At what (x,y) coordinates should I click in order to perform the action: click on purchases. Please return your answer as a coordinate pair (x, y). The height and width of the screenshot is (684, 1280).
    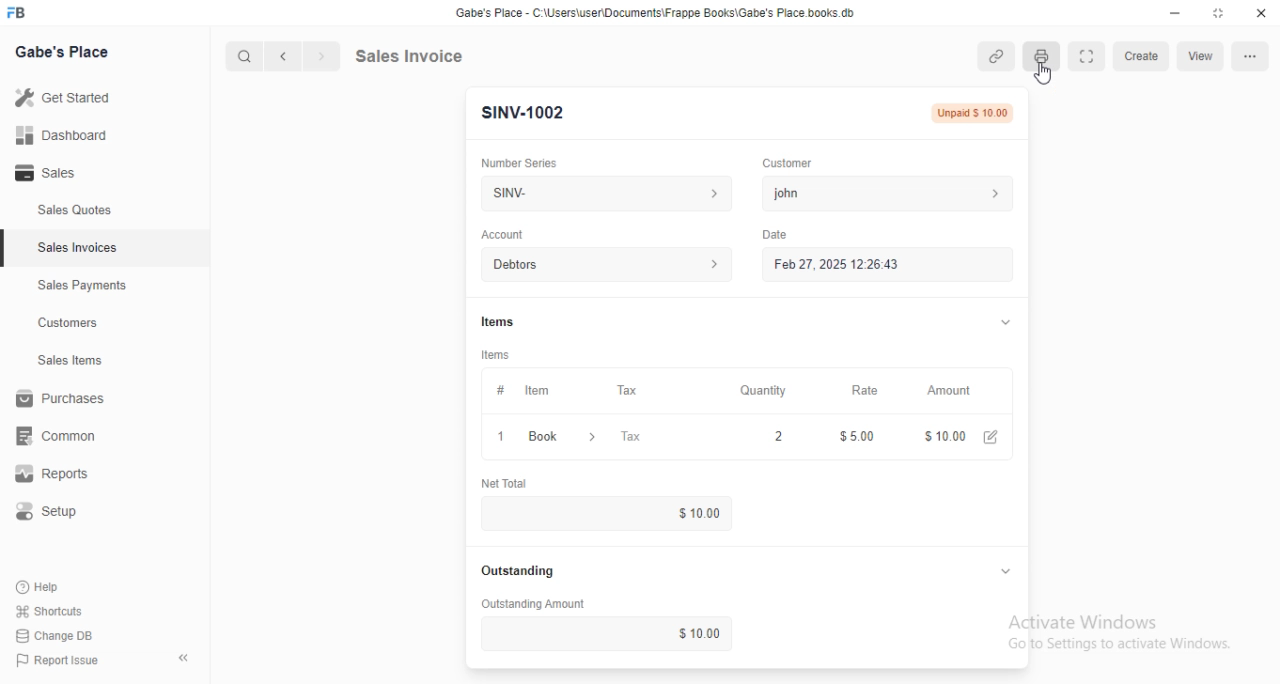
    Looking at the image, I should click on (62, 398).